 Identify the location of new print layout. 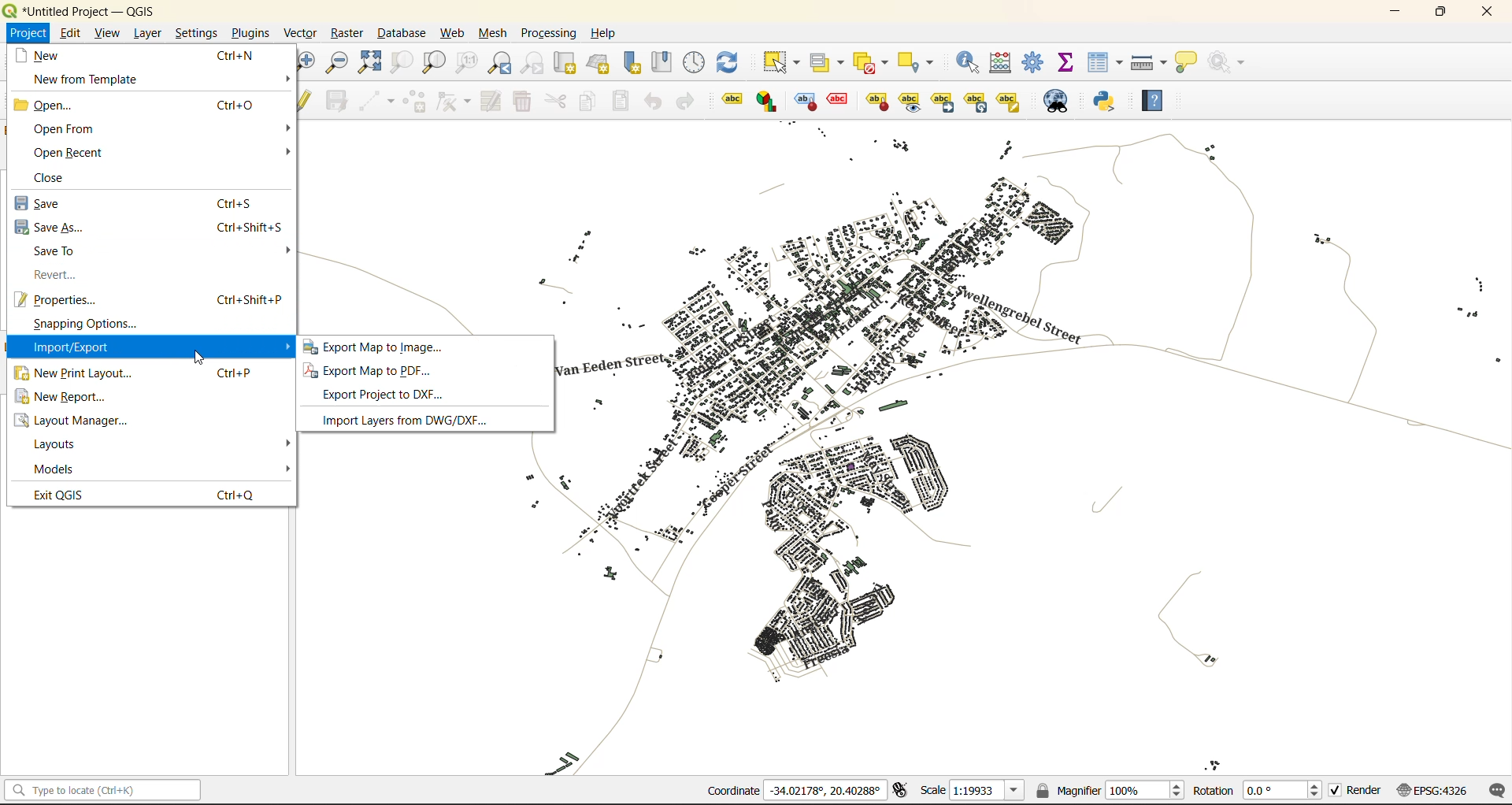
(76, 373).